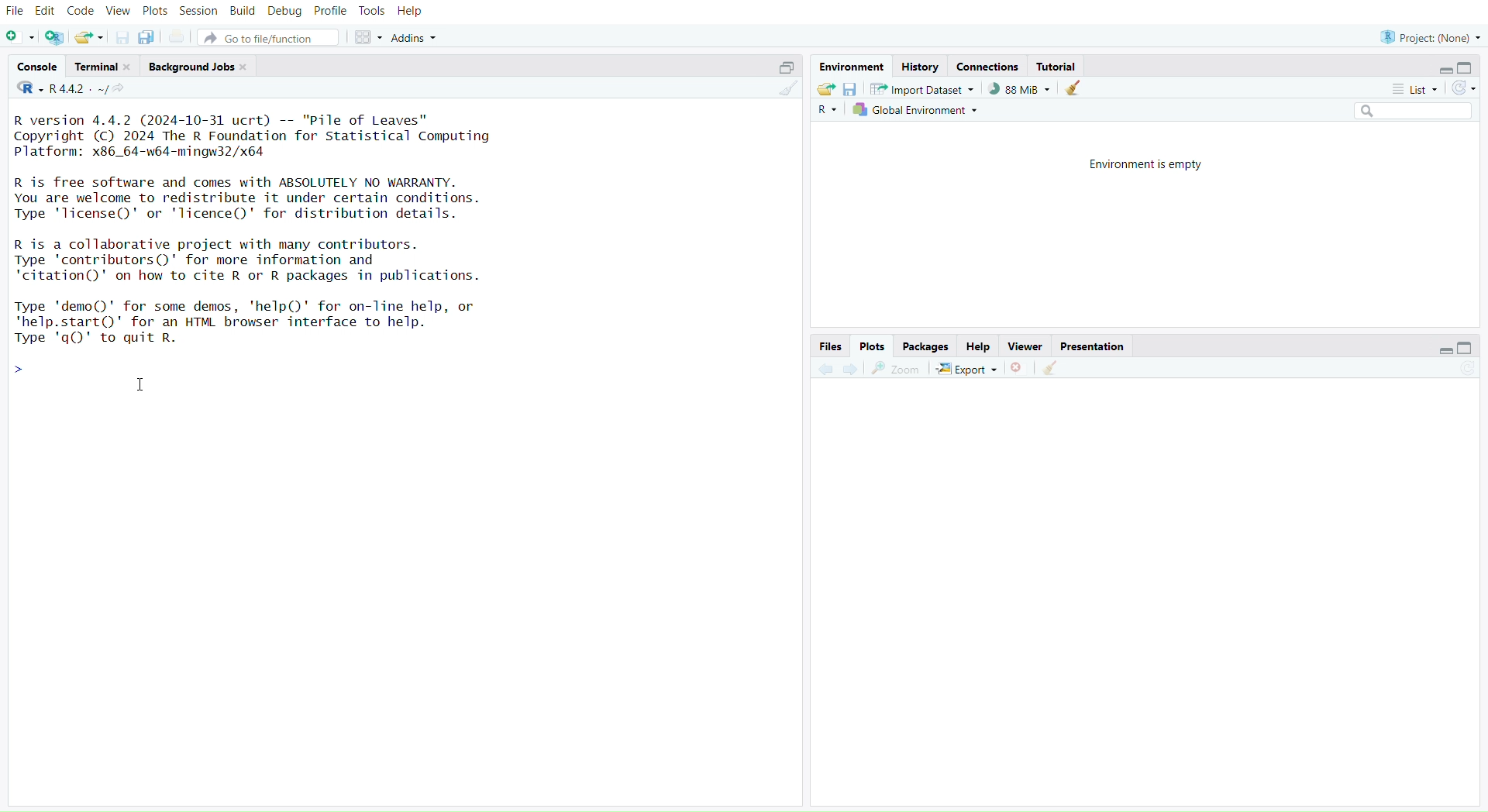 This screenshot has height=812, width=1488. I want to click on addins, so click(418, 38).